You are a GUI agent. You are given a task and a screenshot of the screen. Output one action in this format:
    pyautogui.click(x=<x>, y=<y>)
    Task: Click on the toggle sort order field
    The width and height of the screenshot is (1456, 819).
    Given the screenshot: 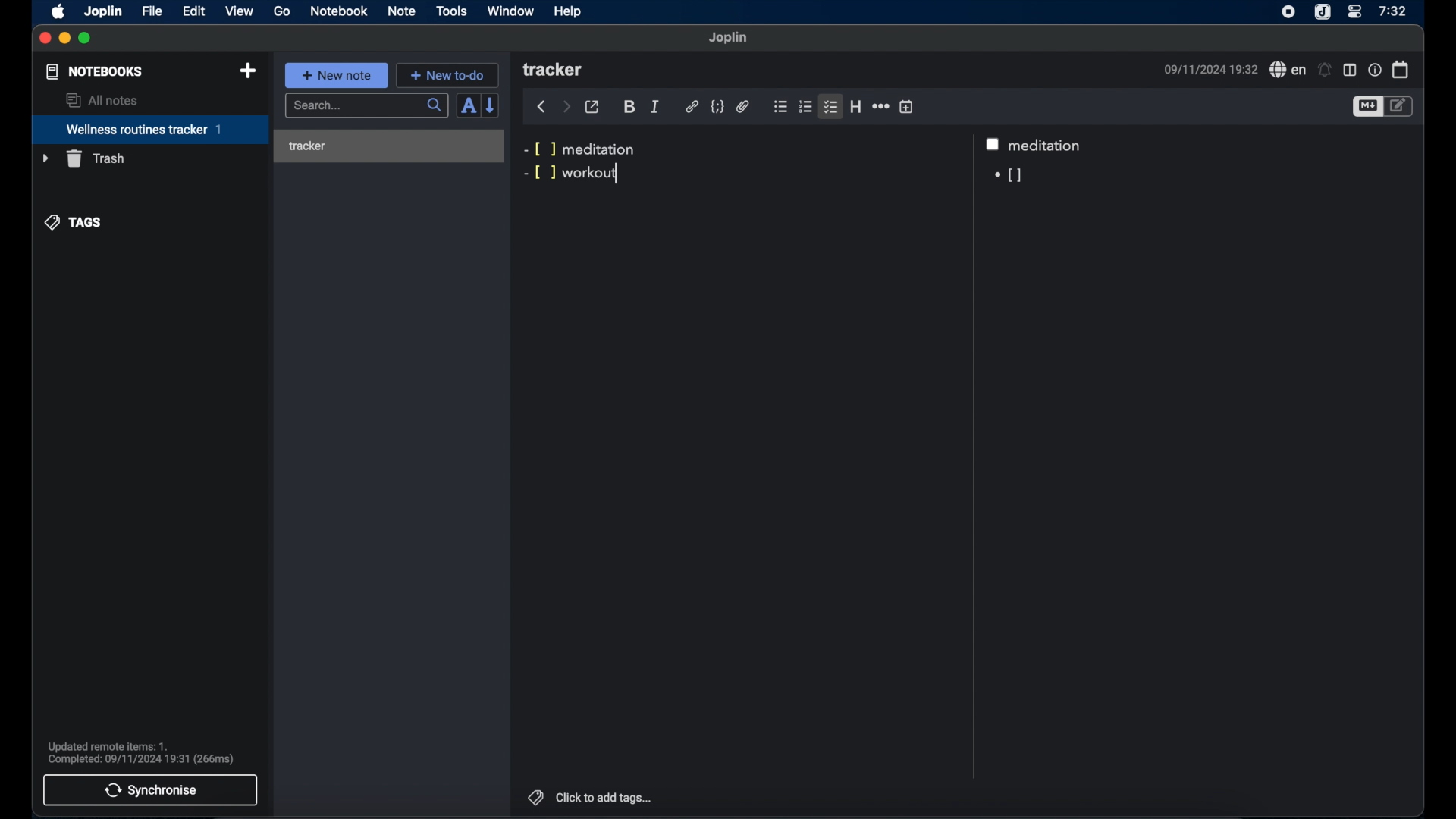 What is the action you would take?
    pyautogui.click(x=468, y=105)
    